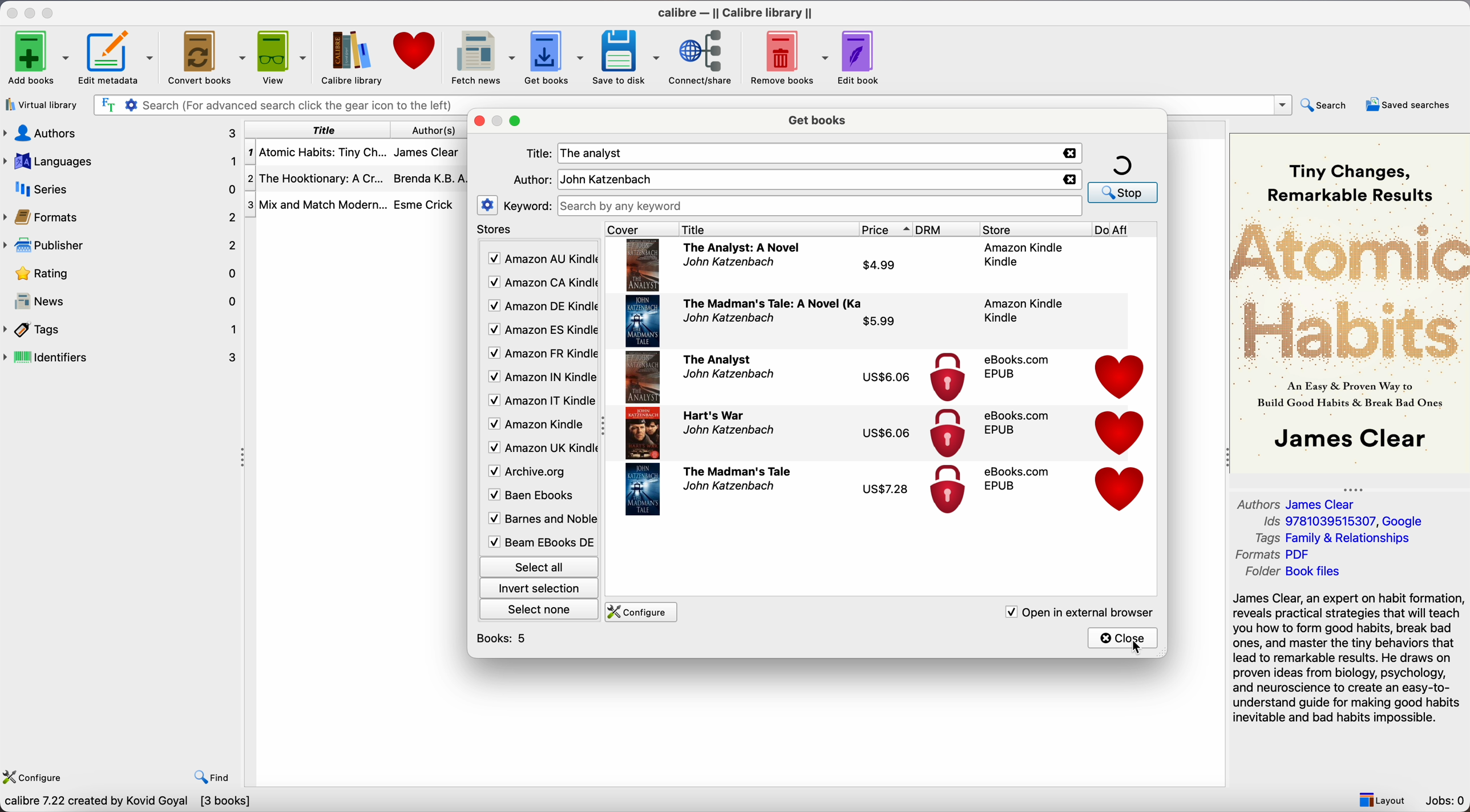 The width and height of the screenshot is (1470, 812). I want to click on Baen Ebooks, so click(535, 498).